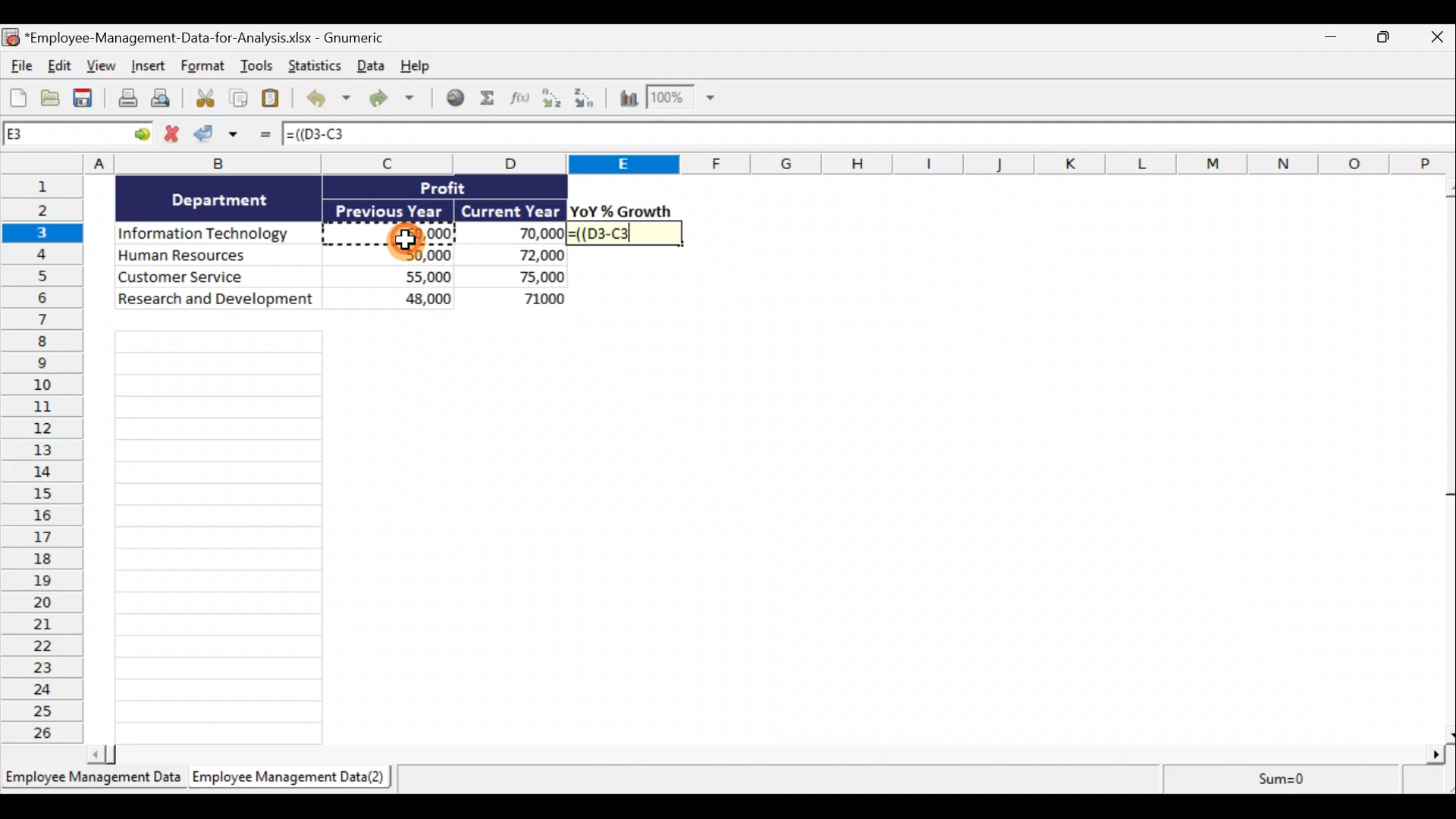 The width and height of the screenshot is (1456, 819). What do you see at coordinates (162, 99) in the screenshot?
I see `Print preview` at bounding box center [162, 99].